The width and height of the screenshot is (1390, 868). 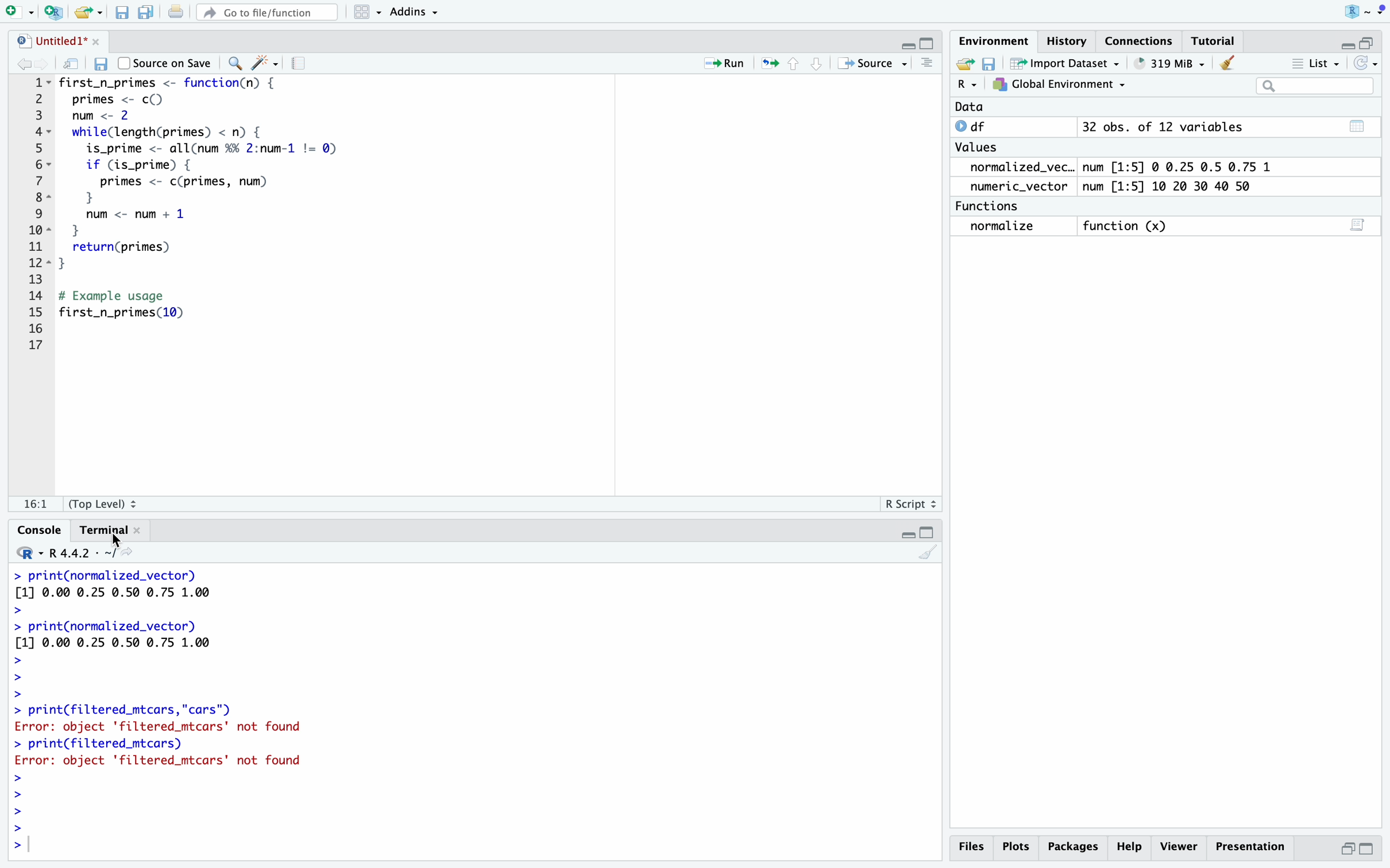 What do you see at coordinates (73, 60) in the screenshot?
I see `show mw in new window` at bounding box center [73, 60].